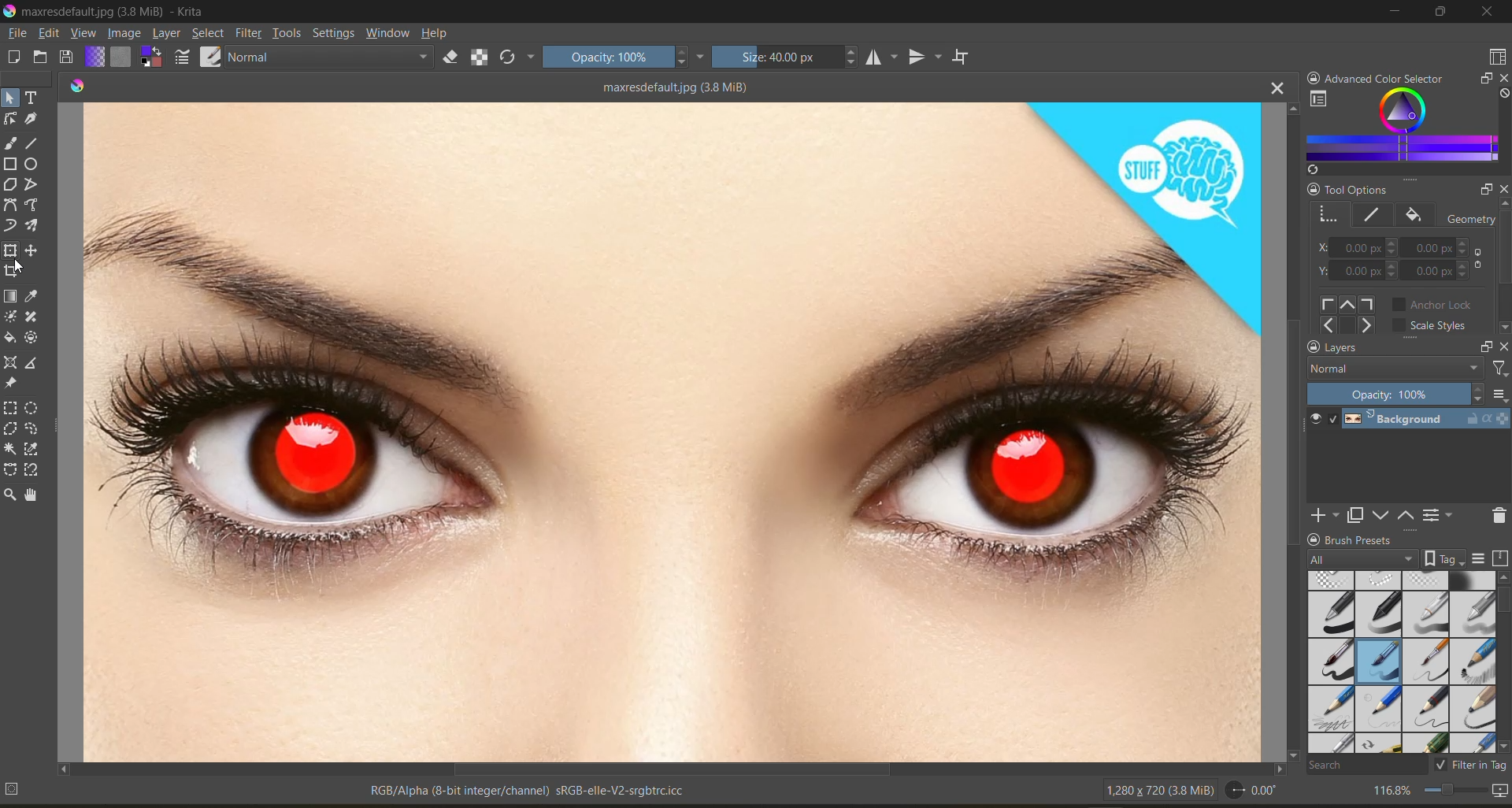  What do you see at coordinates (33, 450) in the screenshot?
I see `tool` at bounding box center [33, 450].